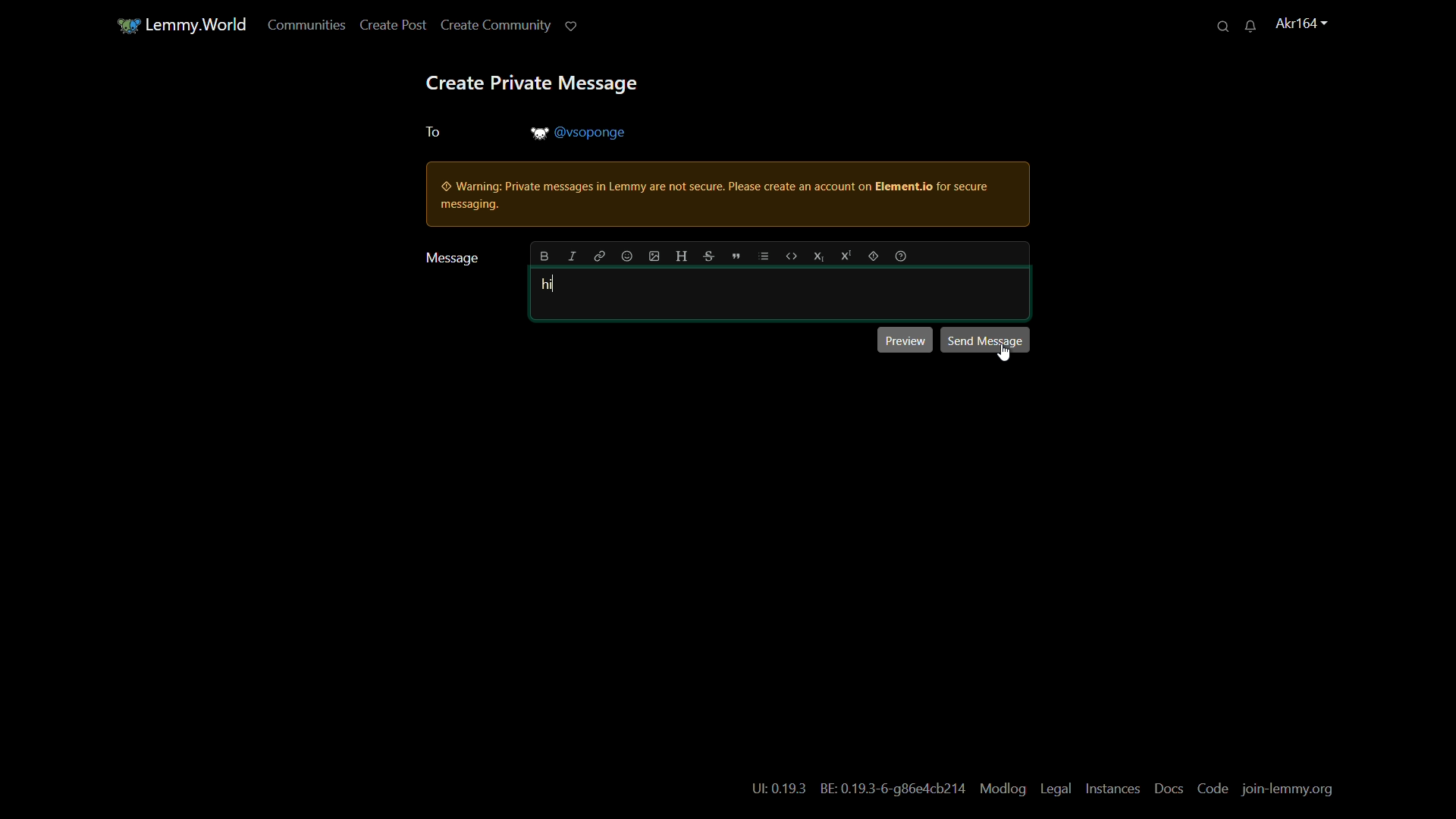 The image size is (1456, 819). I want to click on superscript, so click(847, 255).